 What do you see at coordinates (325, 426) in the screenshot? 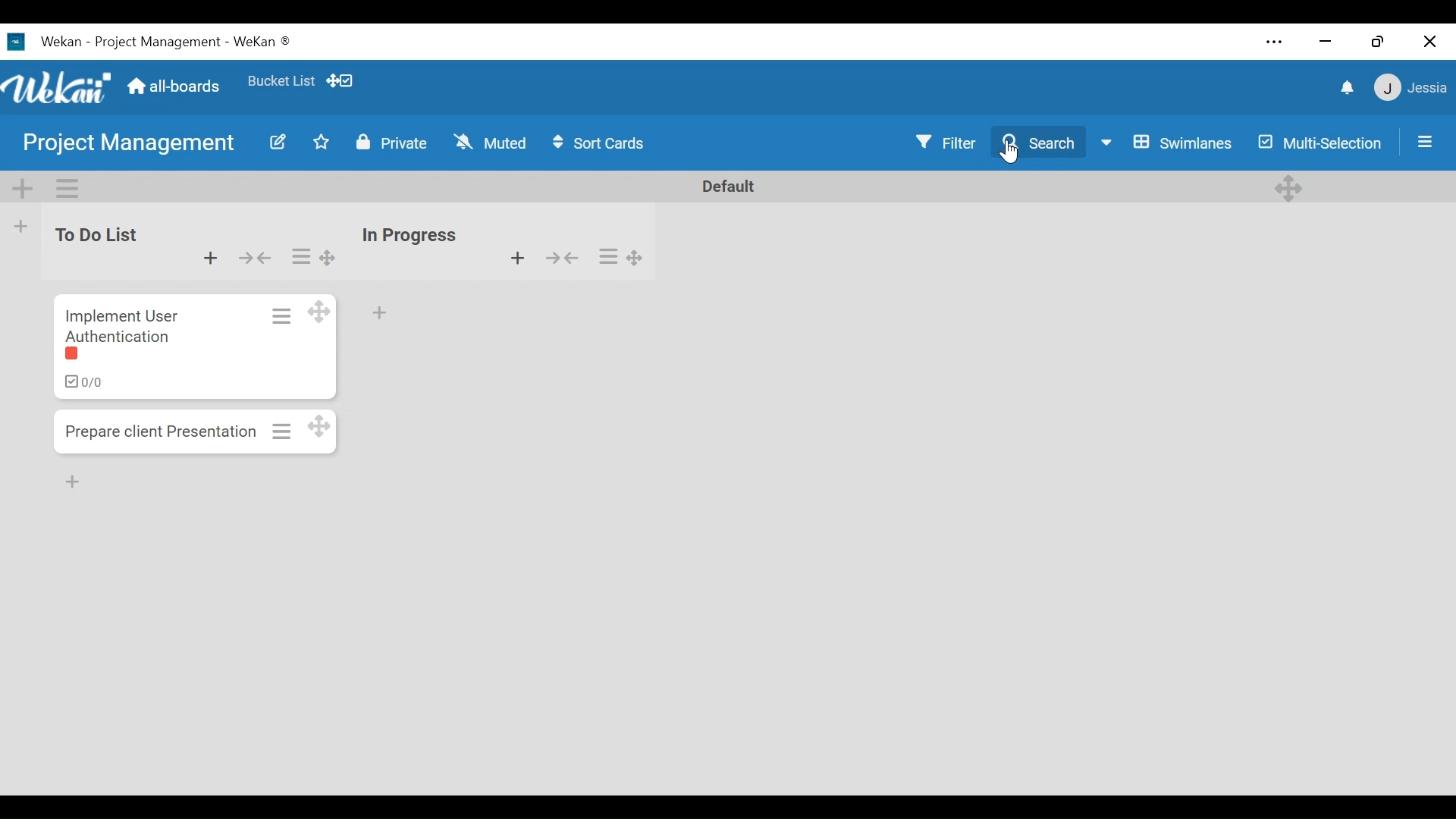
I see `Desktop drag handles` at bounding box center [325, 426].